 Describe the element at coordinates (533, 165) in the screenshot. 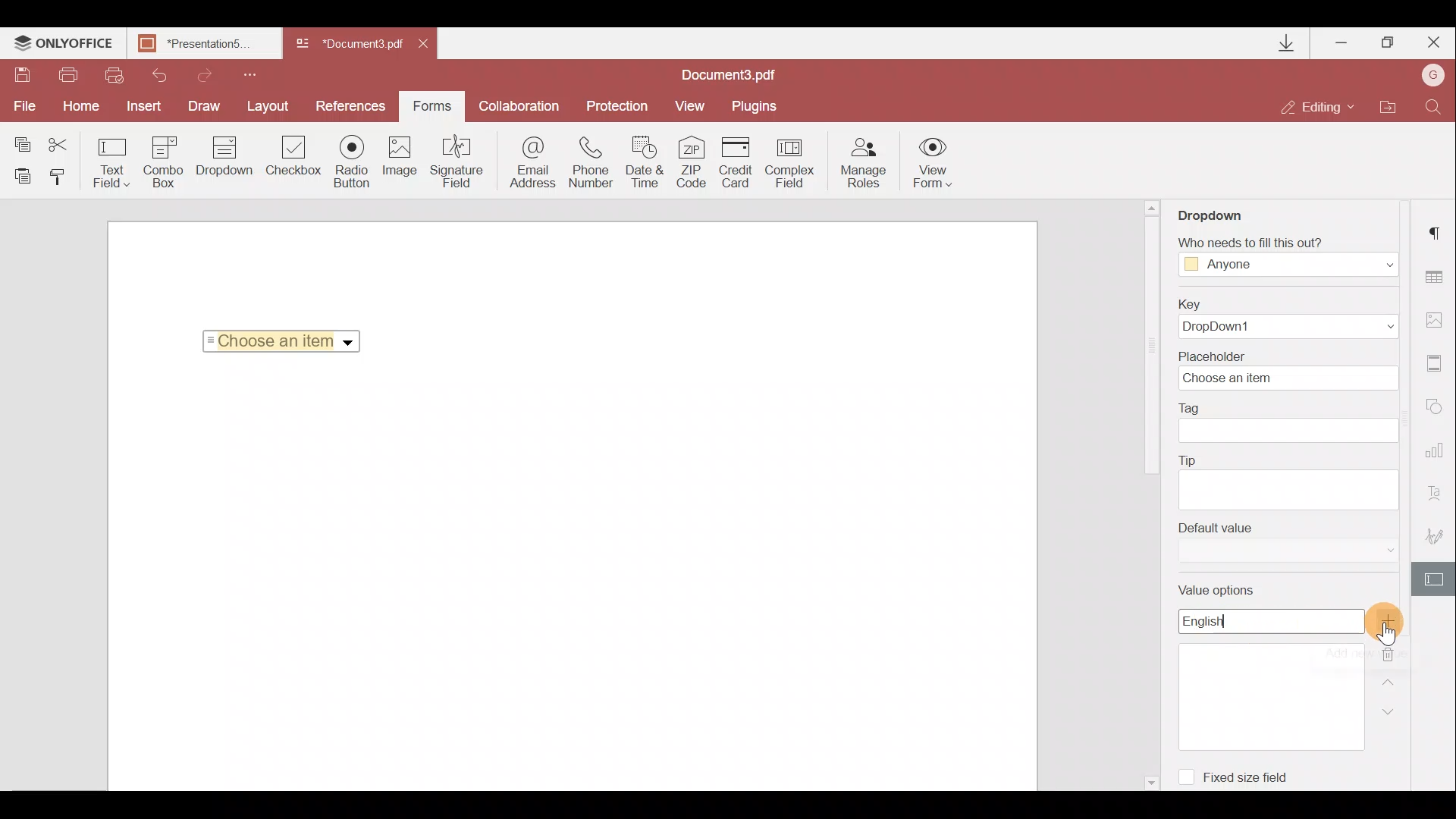

I see `Email address` at that location.